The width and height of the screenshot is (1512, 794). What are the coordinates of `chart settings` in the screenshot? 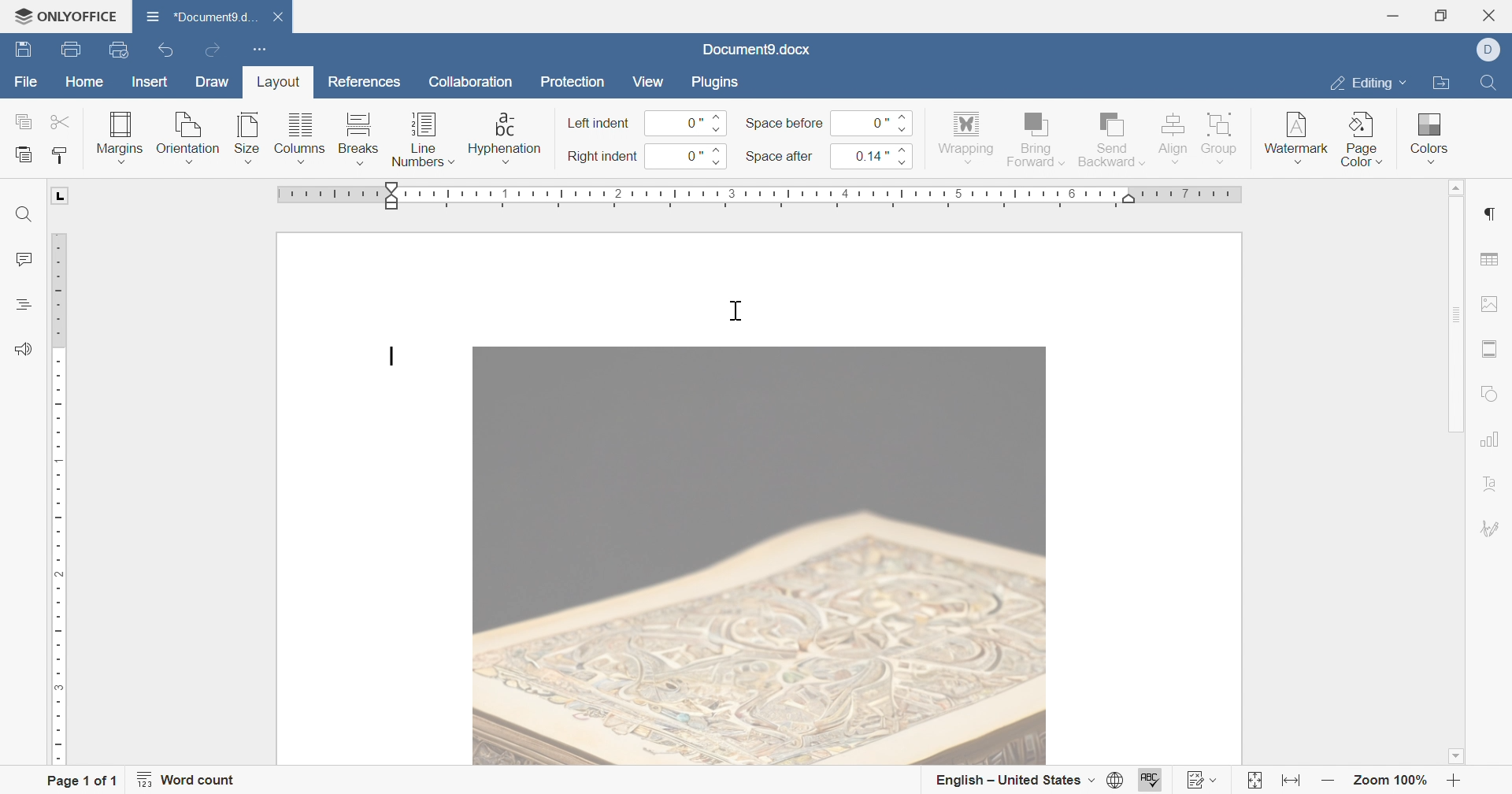 It's located at (1489, 439).